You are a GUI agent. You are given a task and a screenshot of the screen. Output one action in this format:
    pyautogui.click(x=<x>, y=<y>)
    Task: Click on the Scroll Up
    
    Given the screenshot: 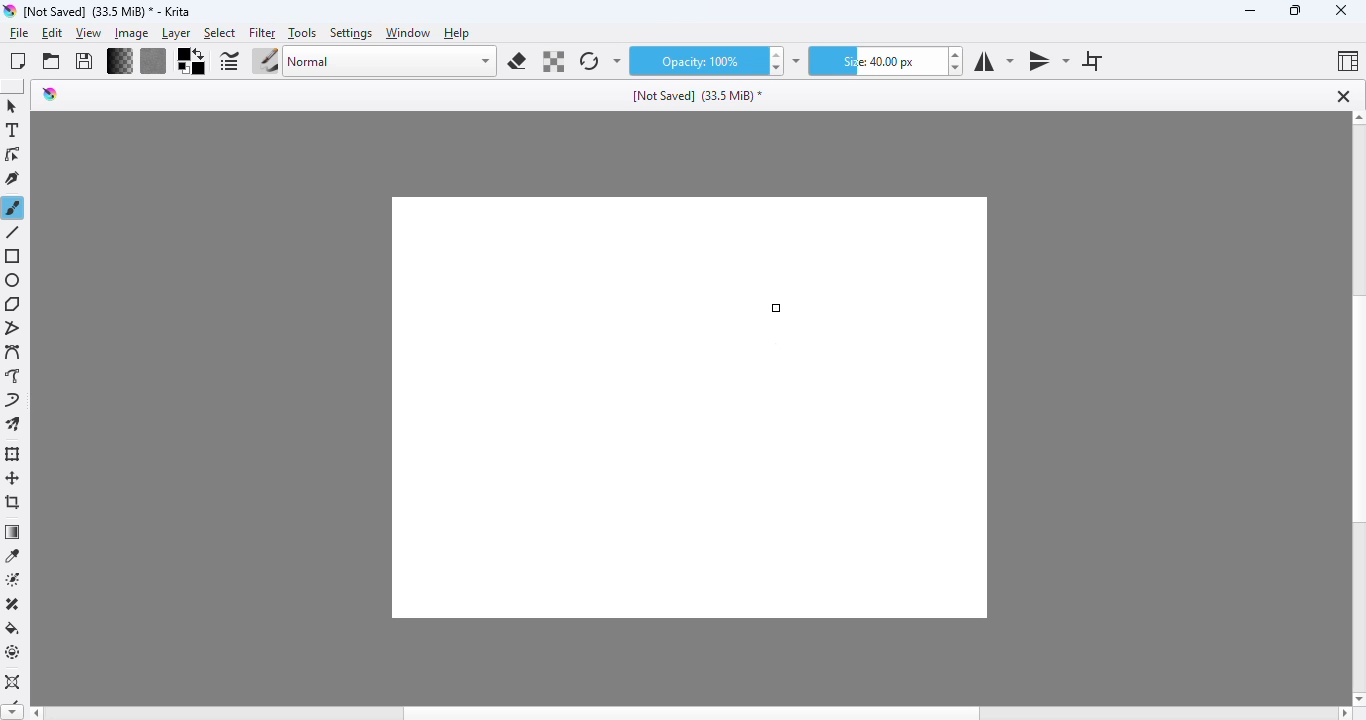 What is the action you would take?
    pyautogui.click(x=1357, y=119)
    